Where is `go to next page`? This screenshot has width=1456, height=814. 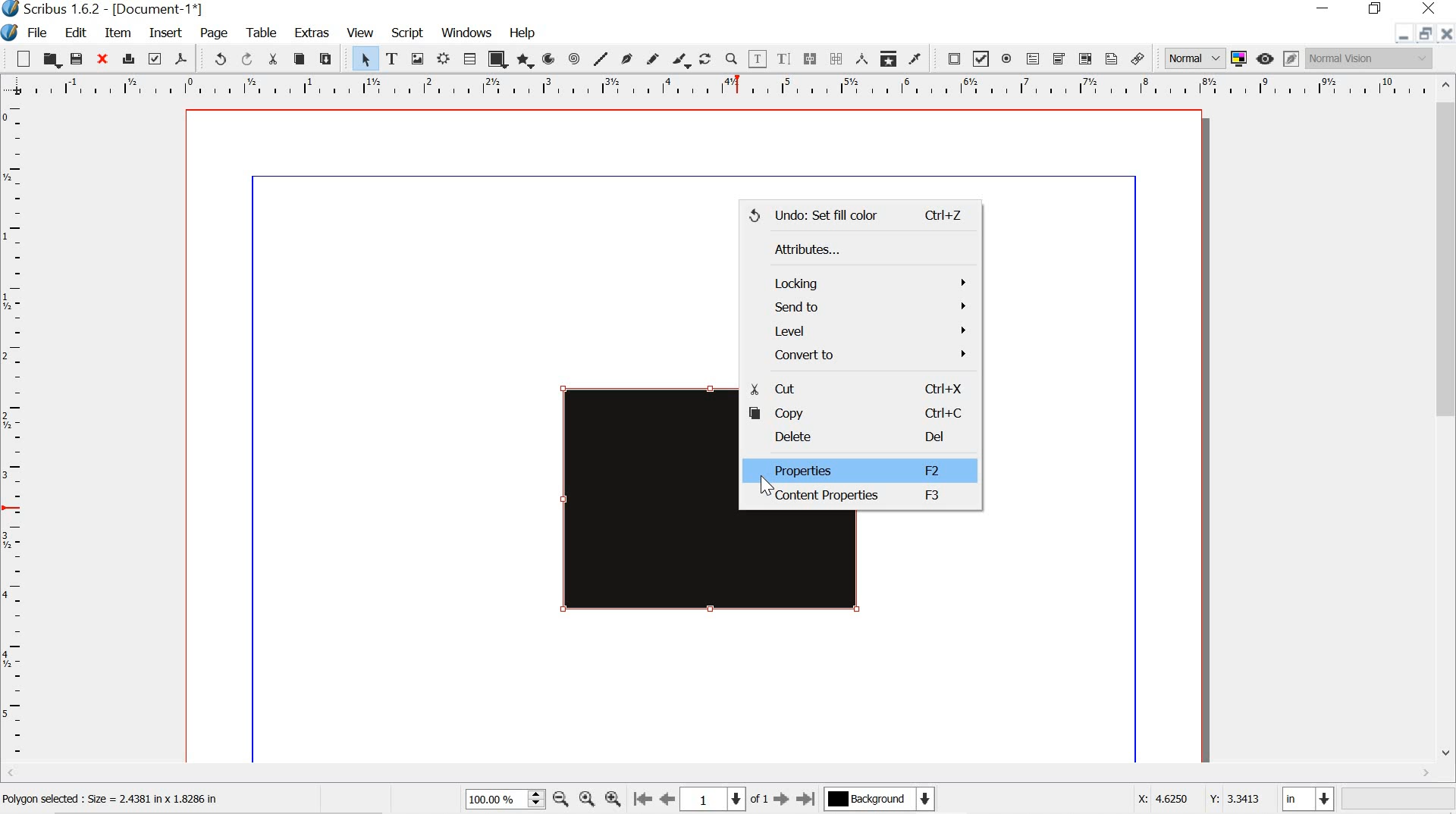
go to next page is located at coordinates (782, 800).